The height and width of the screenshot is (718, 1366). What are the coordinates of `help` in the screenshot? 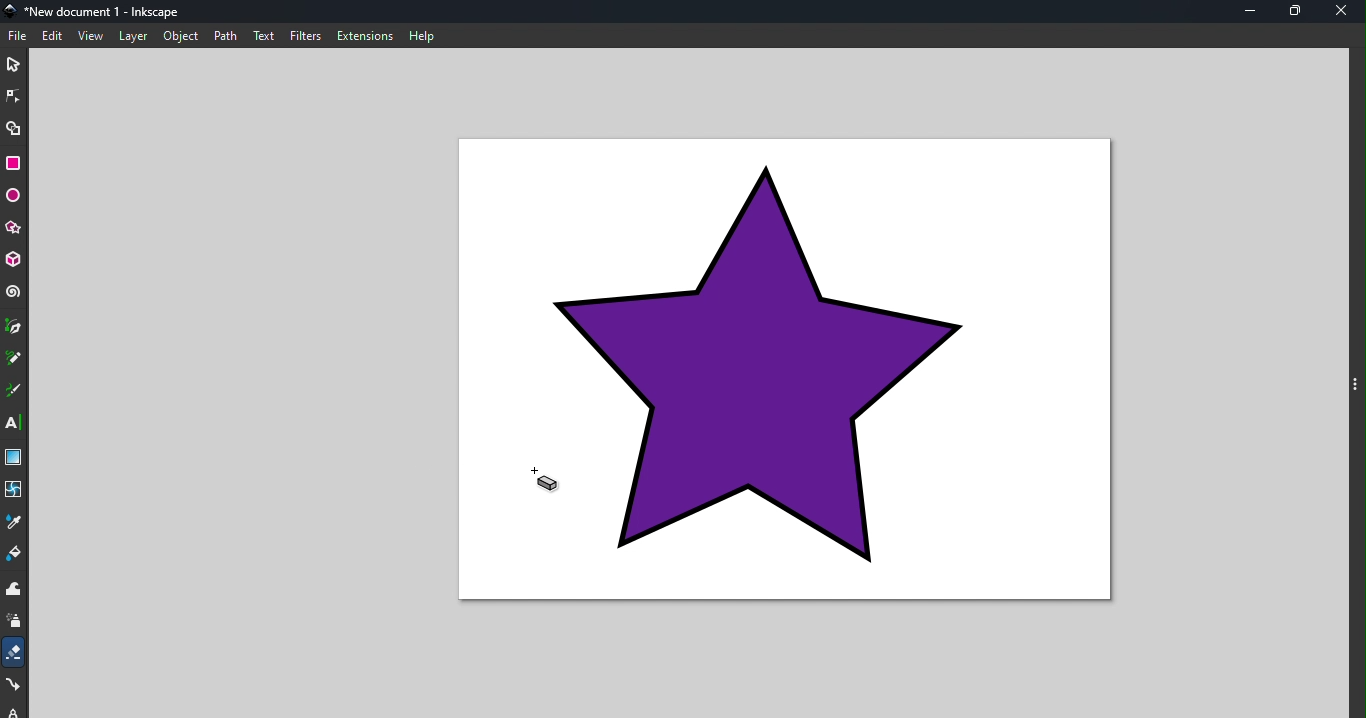 It's located at (424, 35).